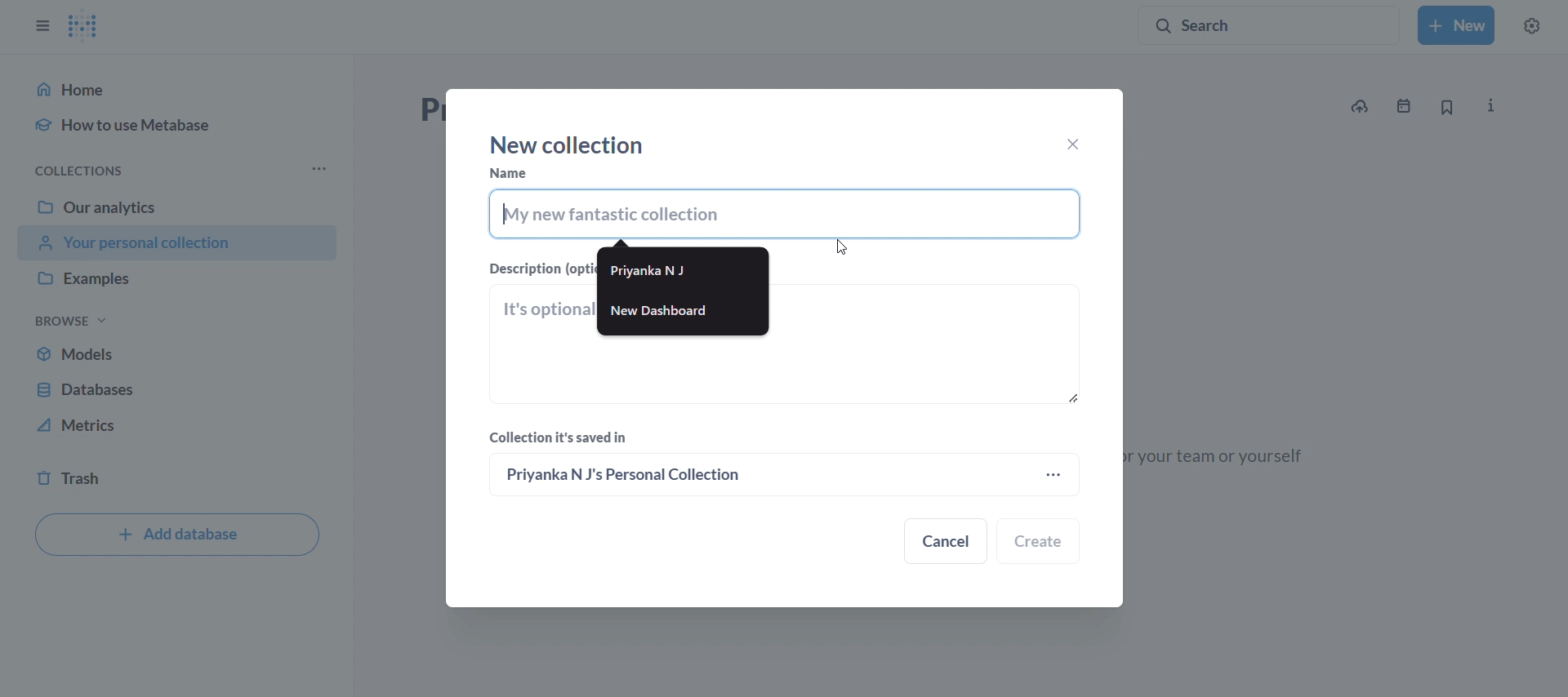 The width and height of the screenshot is (1568, 697). What do you see at coordinates (1271, 22) in the screenshot?
I see `search` at bounding box center [1271, 22].